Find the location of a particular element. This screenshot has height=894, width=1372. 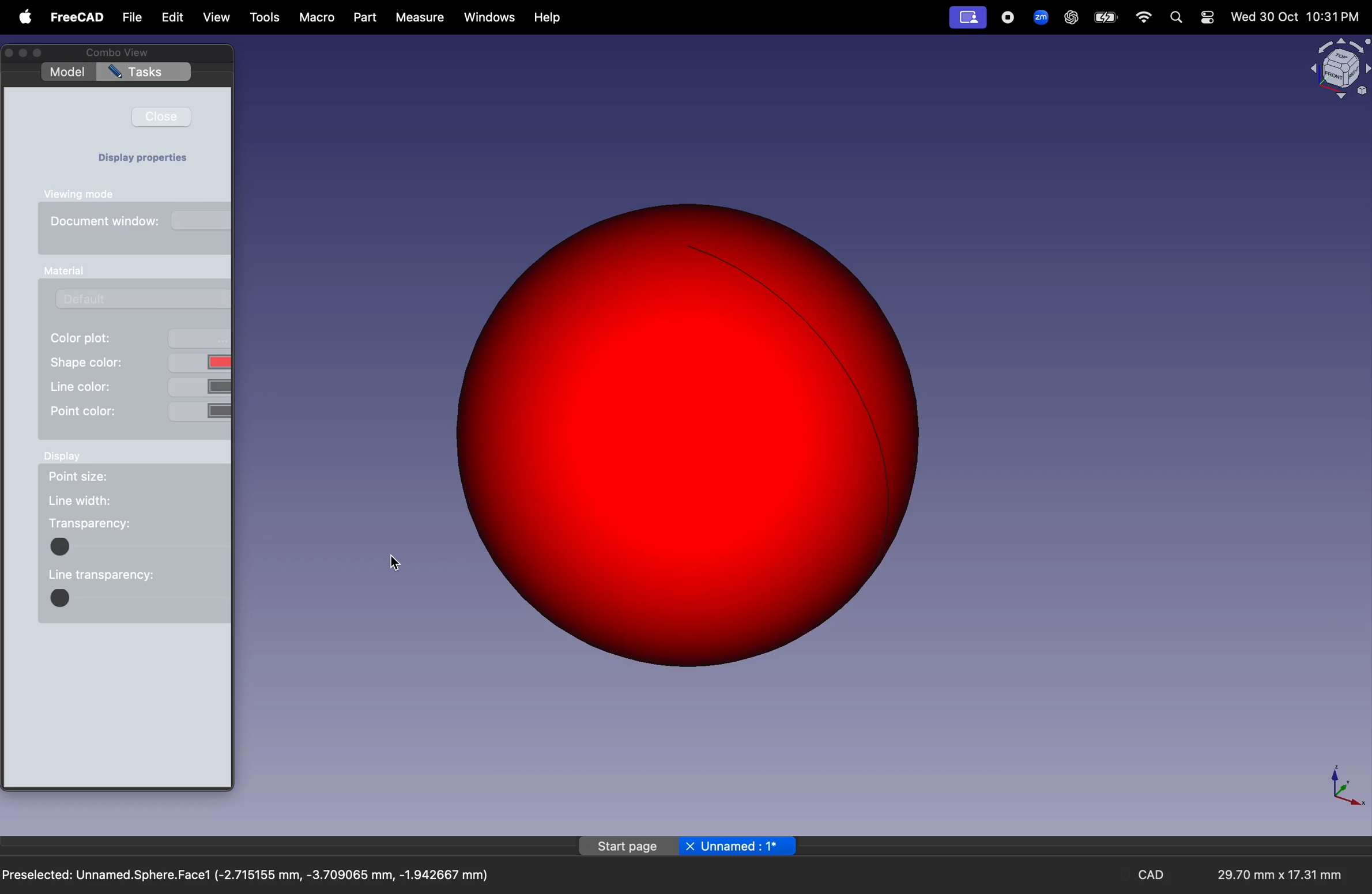

help is located at coordinates (549, 18).